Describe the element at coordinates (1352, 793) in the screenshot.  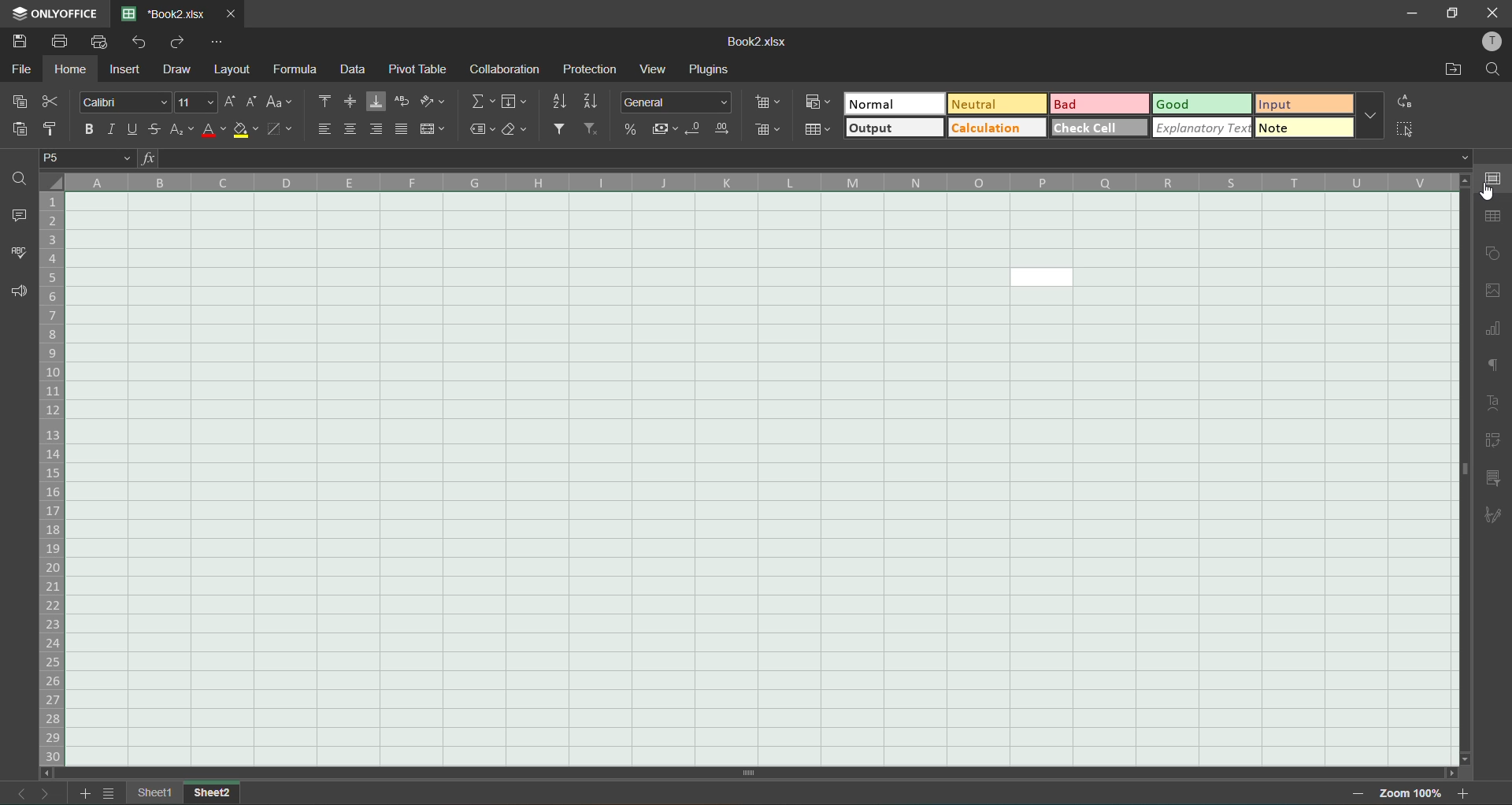
I see `zoom out` at that location.